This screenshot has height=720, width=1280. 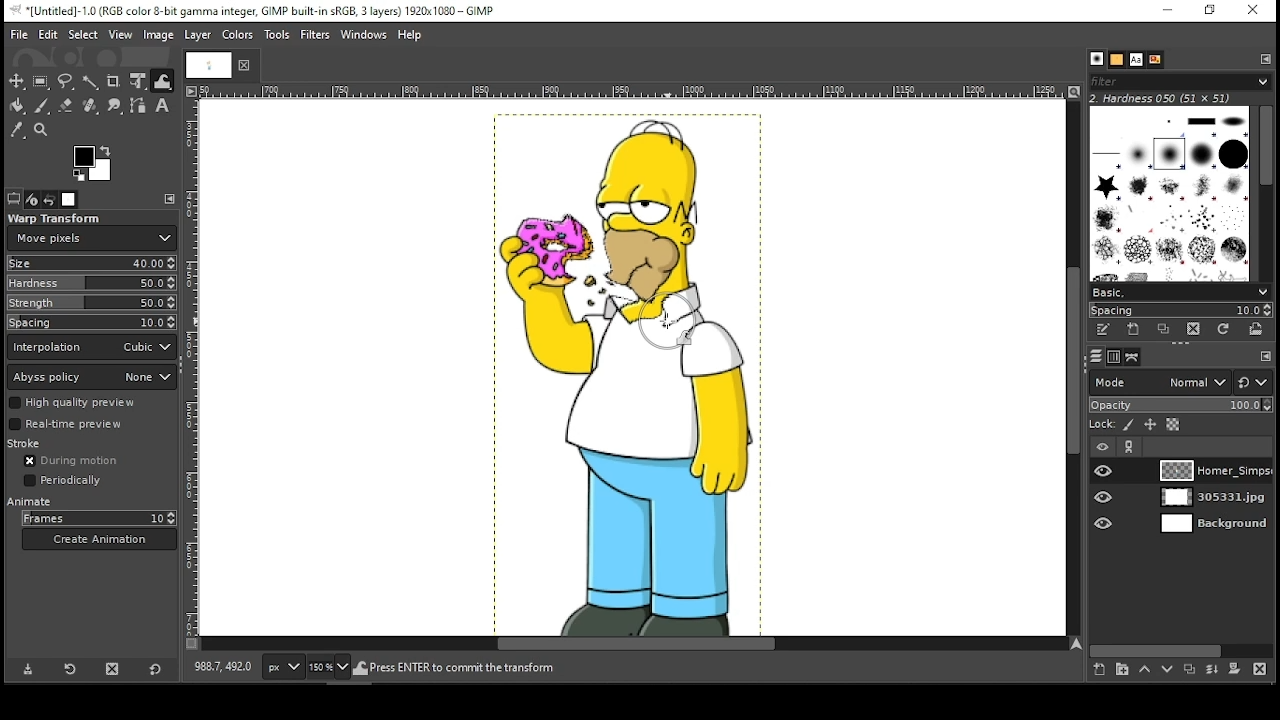 What do you see at coordinates (69, 668) in the screenshot?
I see `restore tool preset` at bounding box center [69, 668].